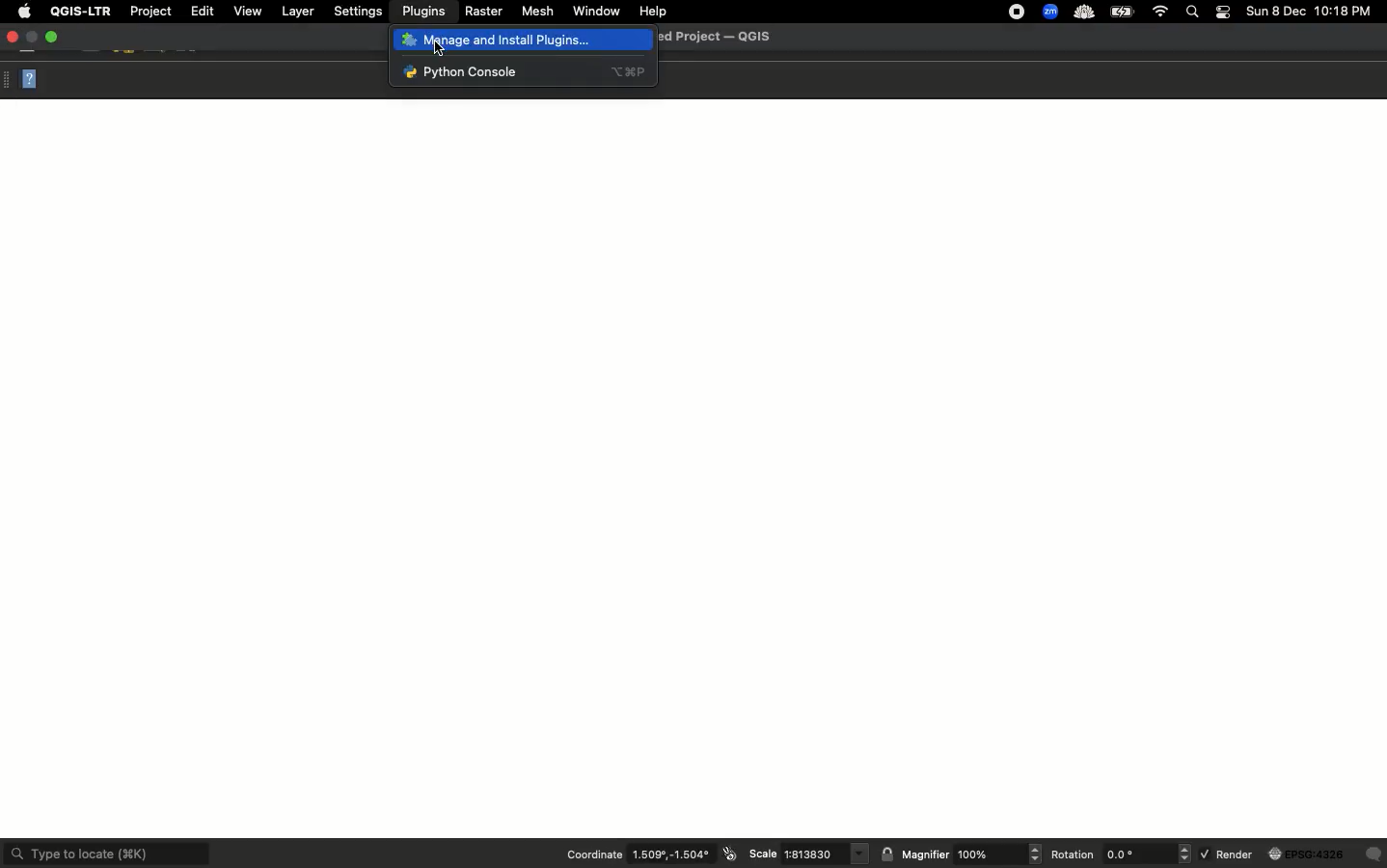 The width and height of the screenshot is (1387, 868). What do you see at coordinates (1122, 855) in the screenshot?
I see `Rotation` at bounding box center [1122, 855].